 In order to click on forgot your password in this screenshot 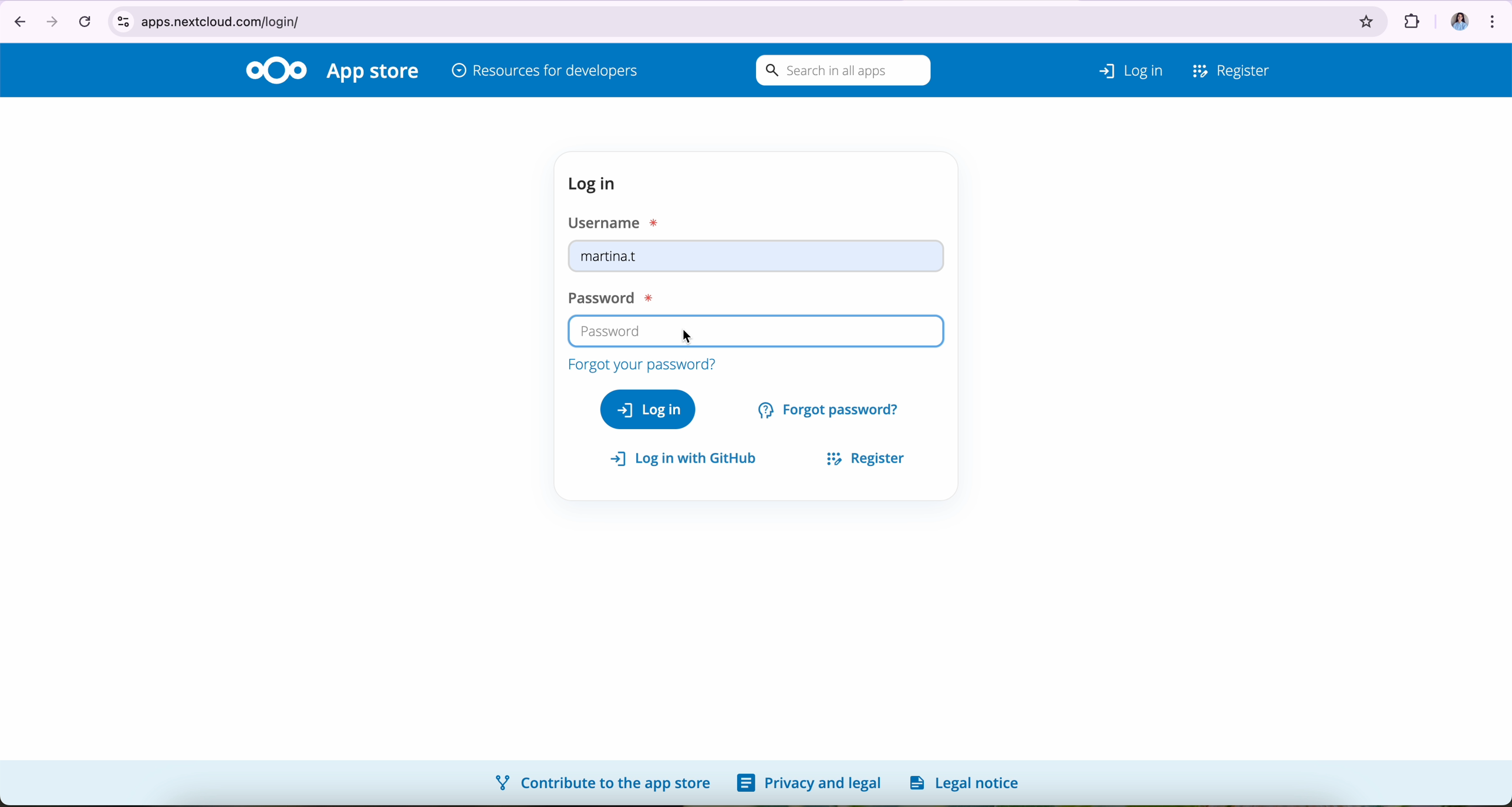, I will do `click(640, 363)`.